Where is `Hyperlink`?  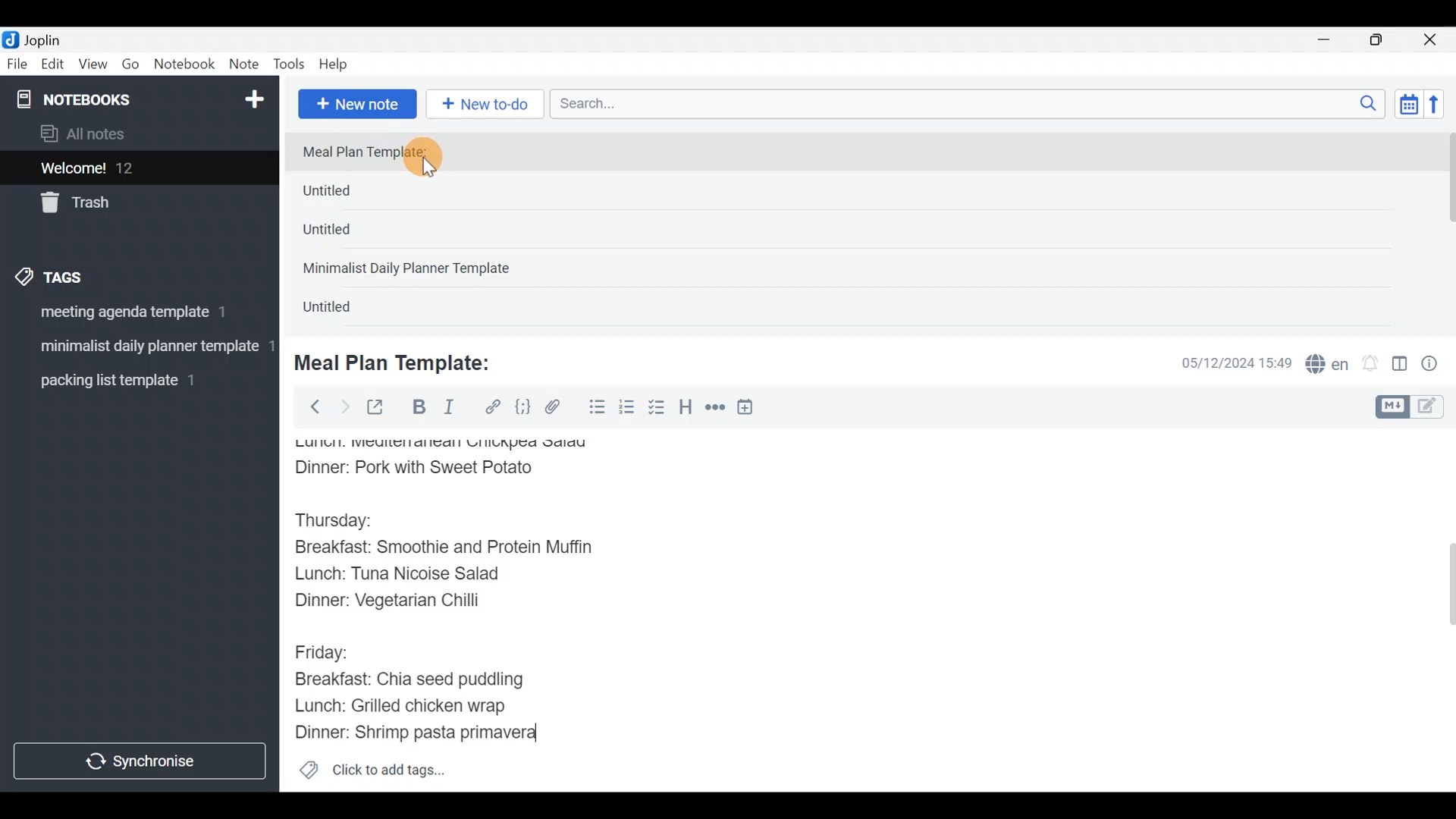
Hyperlink is located at coordinates (493, 407).